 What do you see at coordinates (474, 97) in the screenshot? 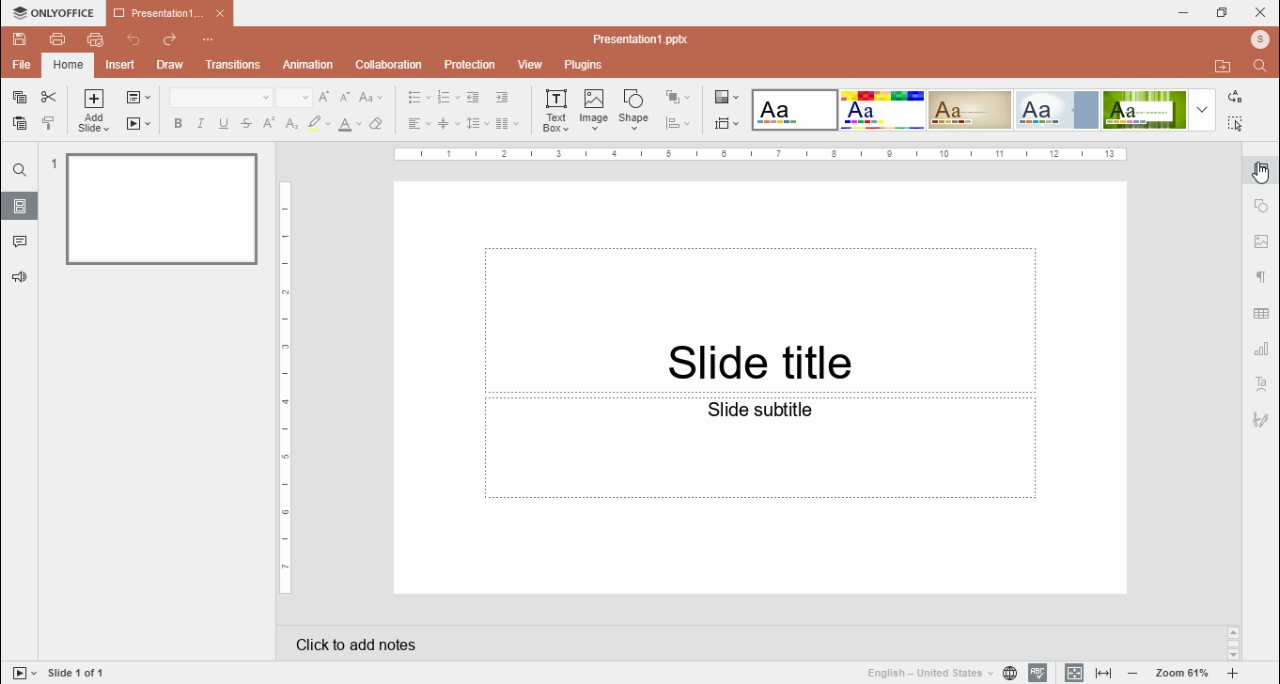
I see `decrease indent` at bounding box center [474, 97].